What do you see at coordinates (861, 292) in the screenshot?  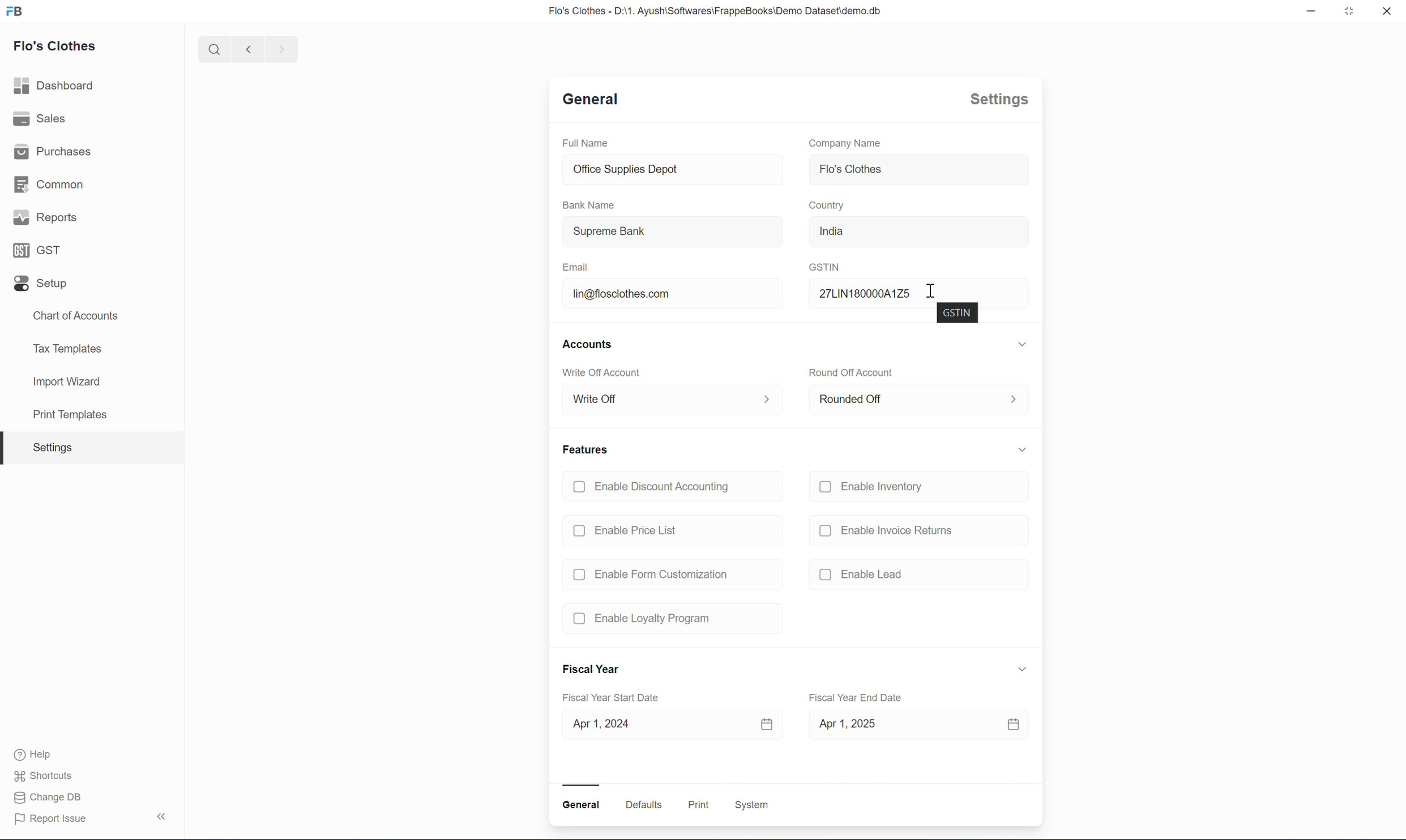 I see `27LIN
N180000A1Z:
00A1Z5` at bounding box center [861, 292].